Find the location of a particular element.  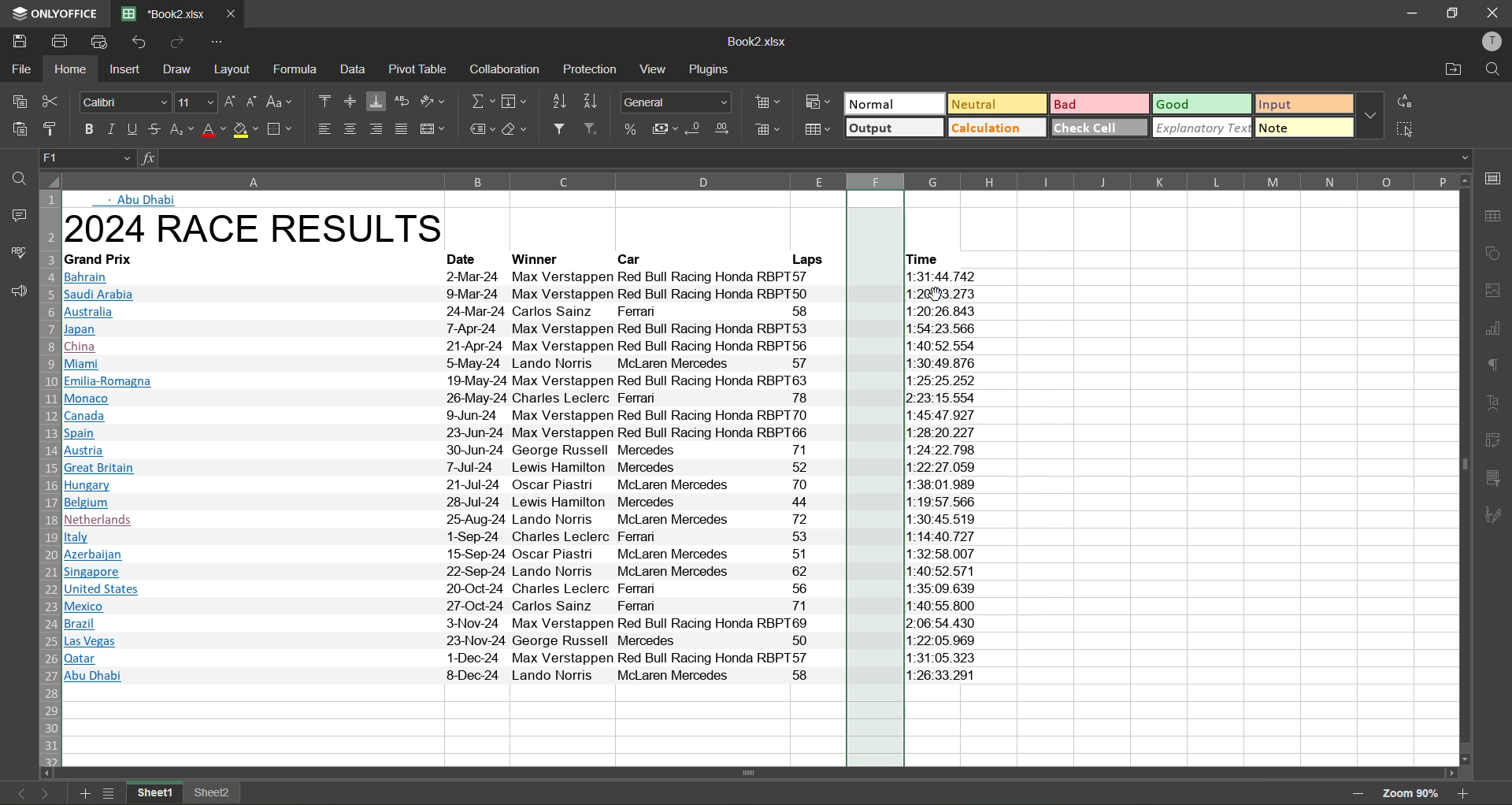

align top is located at coordinates (321, 100).